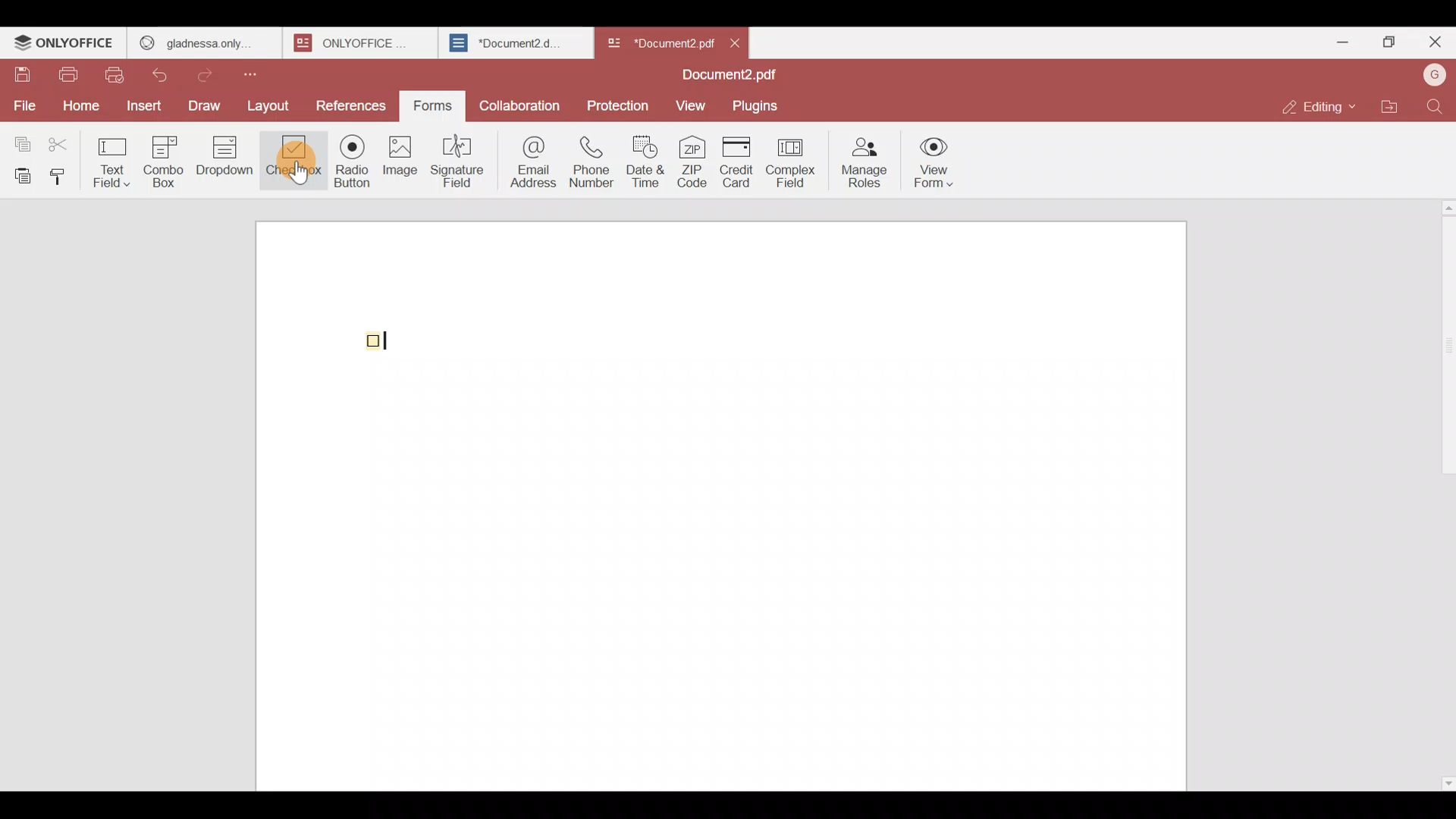  Describe the element at coordinates (1434, 74) in the screenshot. I see `Account name` at that location.